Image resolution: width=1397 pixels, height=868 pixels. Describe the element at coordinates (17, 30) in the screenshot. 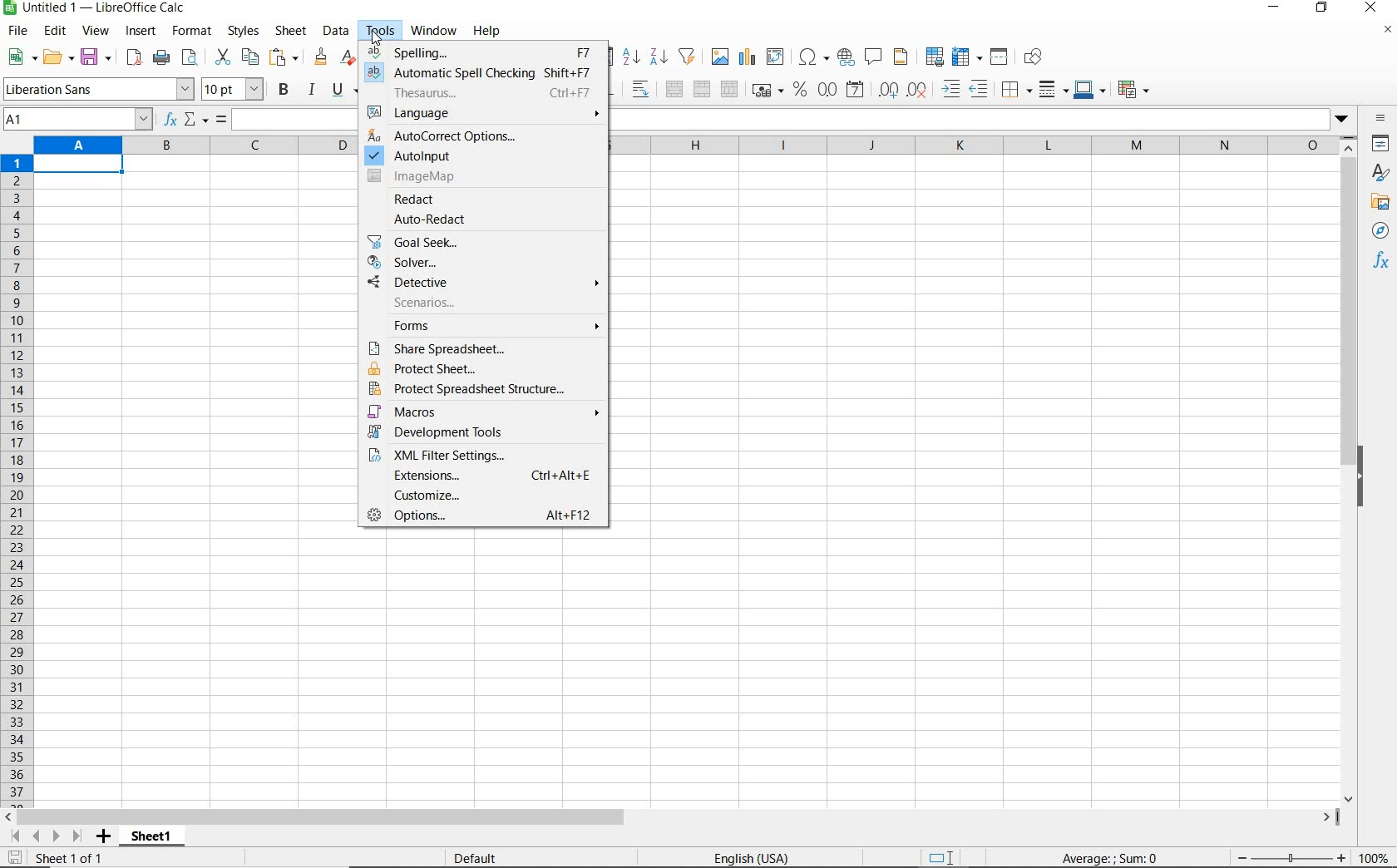

I see `file` at that location.